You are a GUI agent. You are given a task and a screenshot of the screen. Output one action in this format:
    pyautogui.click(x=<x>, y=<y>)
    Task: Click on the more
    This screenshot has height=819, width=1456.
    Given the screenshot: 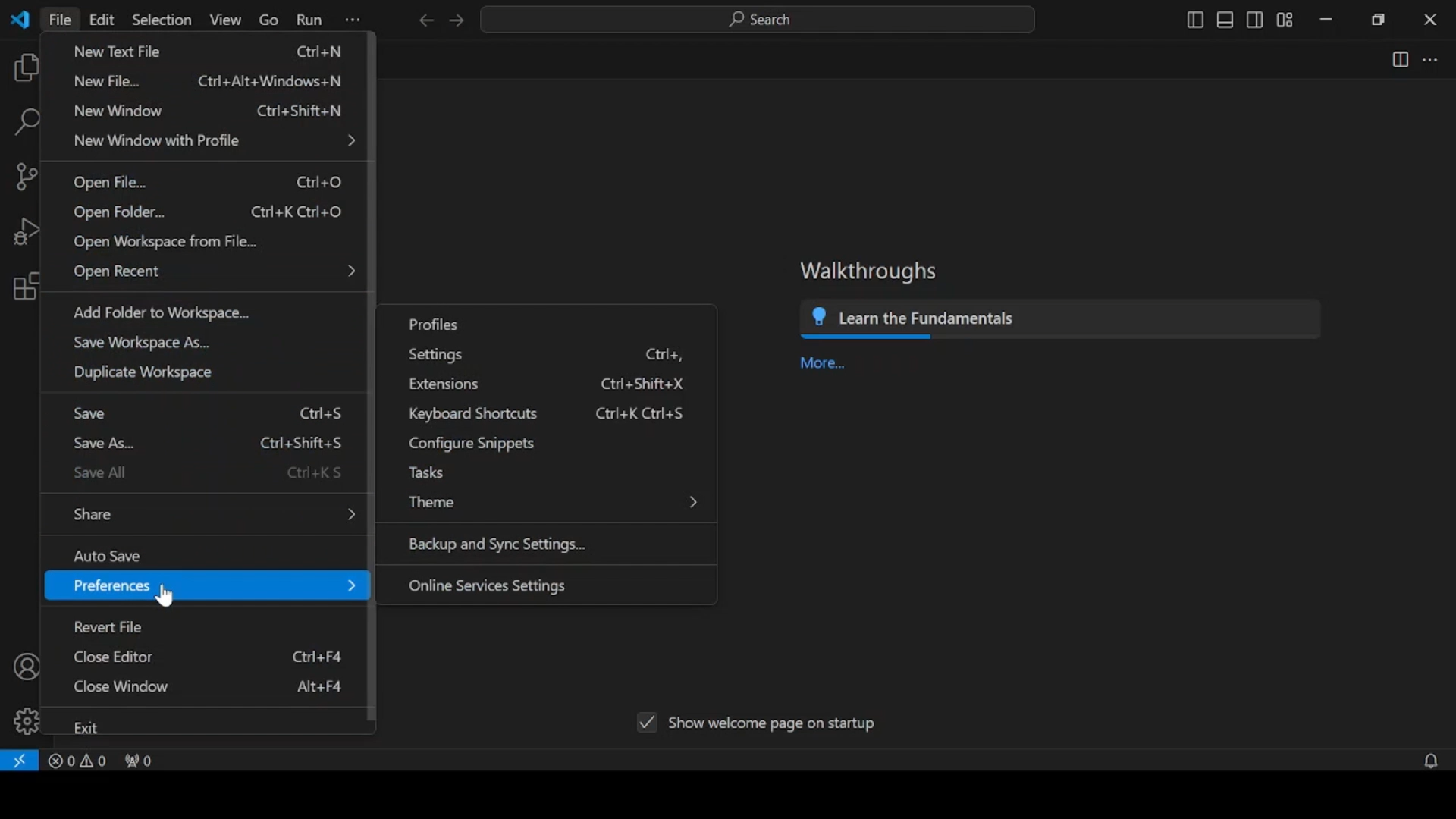 What is the action you would take?
    pyautogui.click(x=824, y=363)
    